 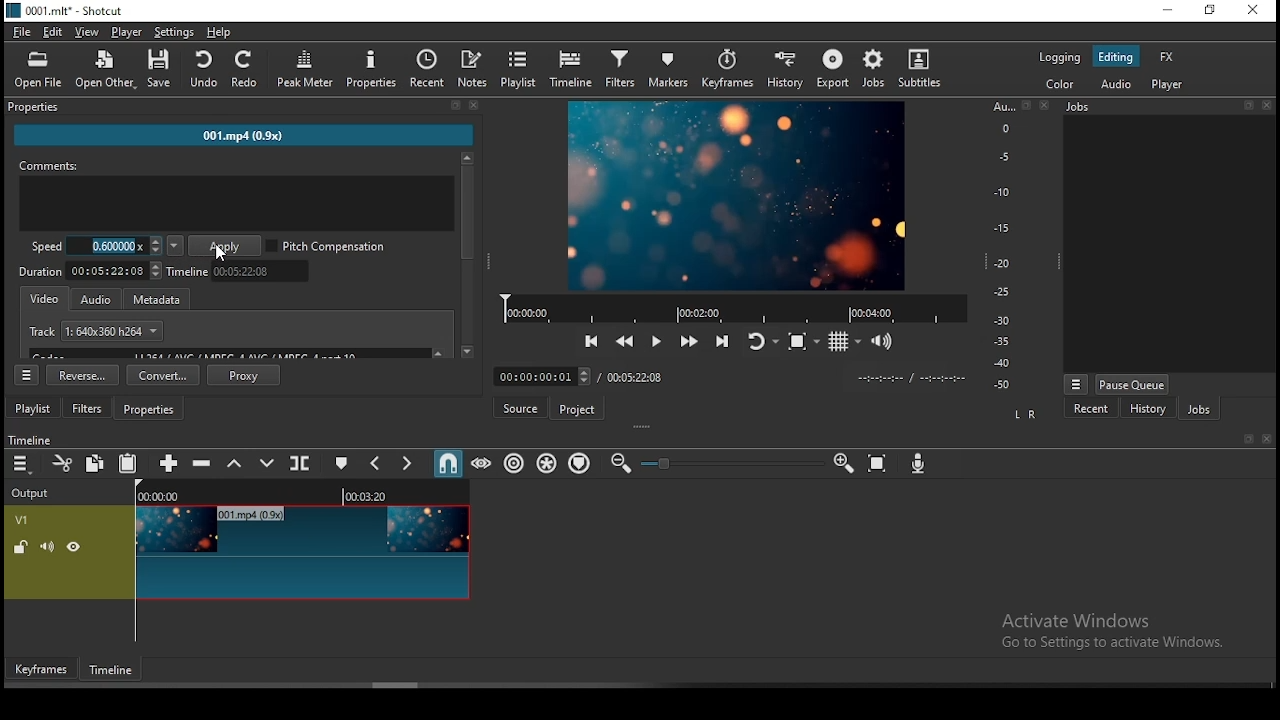 What do you see at coordinates (1028, 411) in the screenshot?
I see `LR` at bounding box center [1028, 411].